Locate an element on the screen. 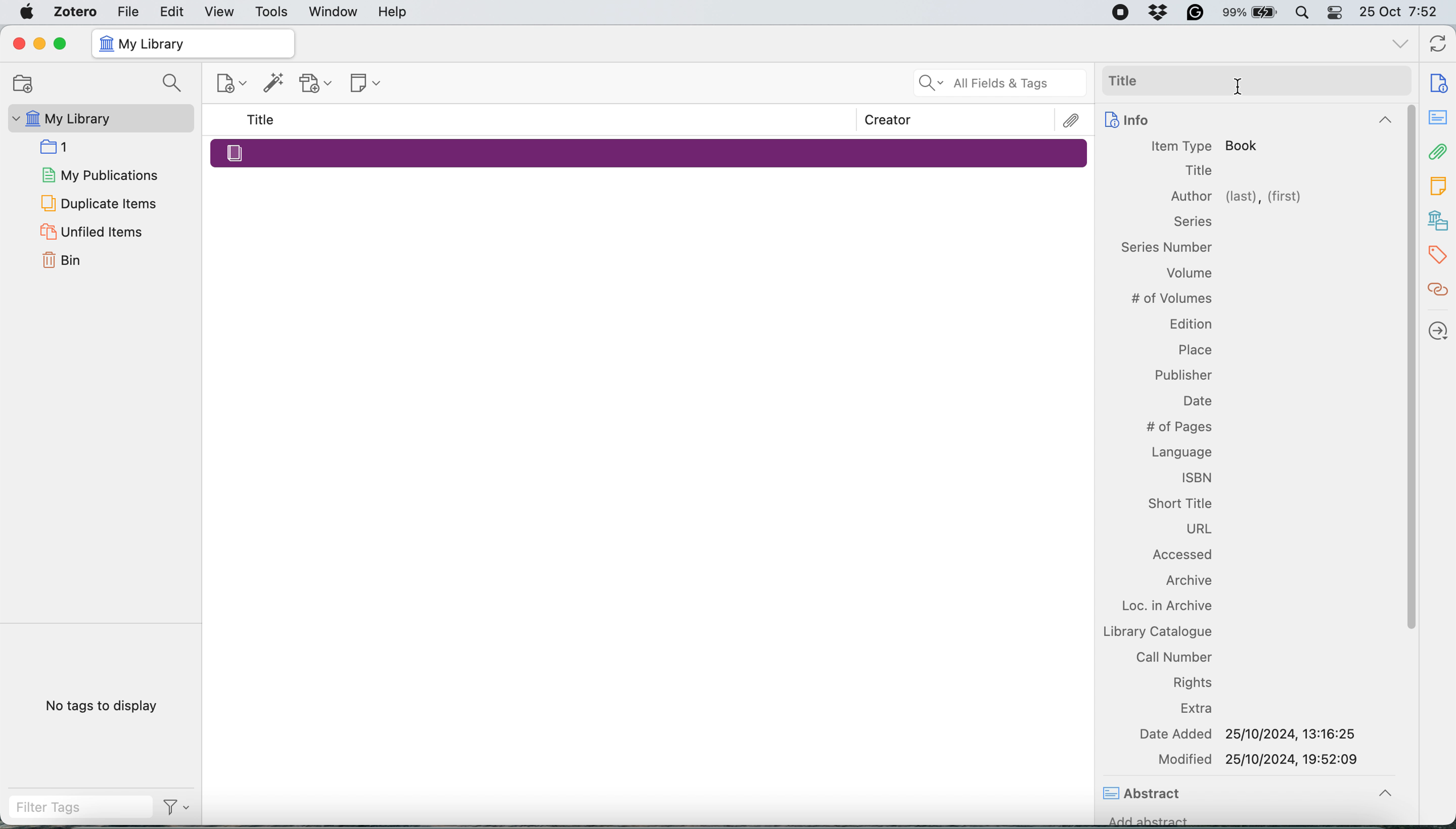  Abstract is located at coordinates (1145, 795).